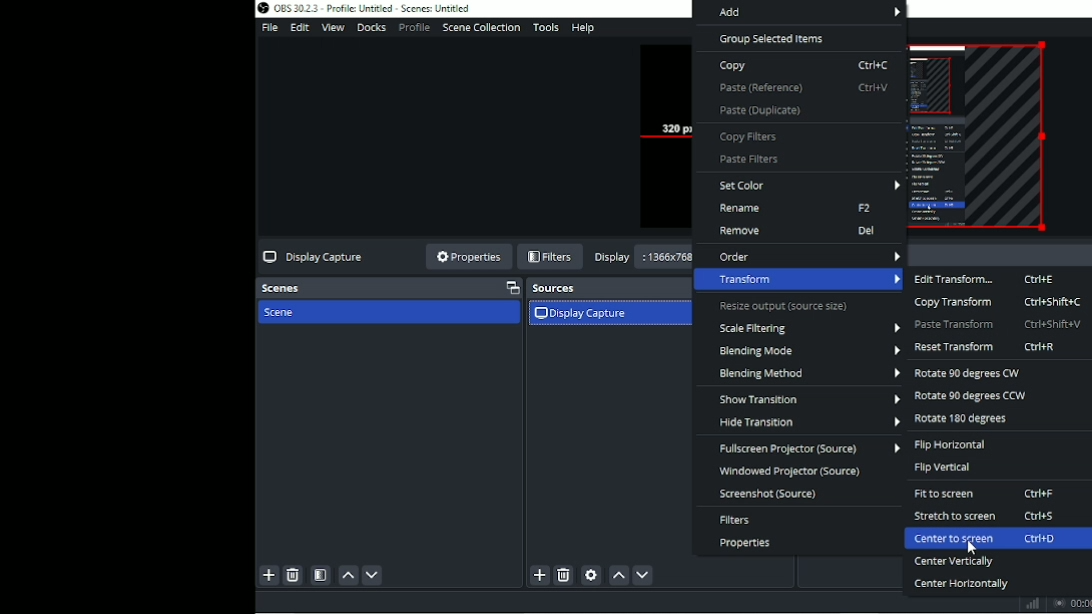  Describe the element at coordinates (1000, 324) in the screenshot. I see `Paste transform` at that location.